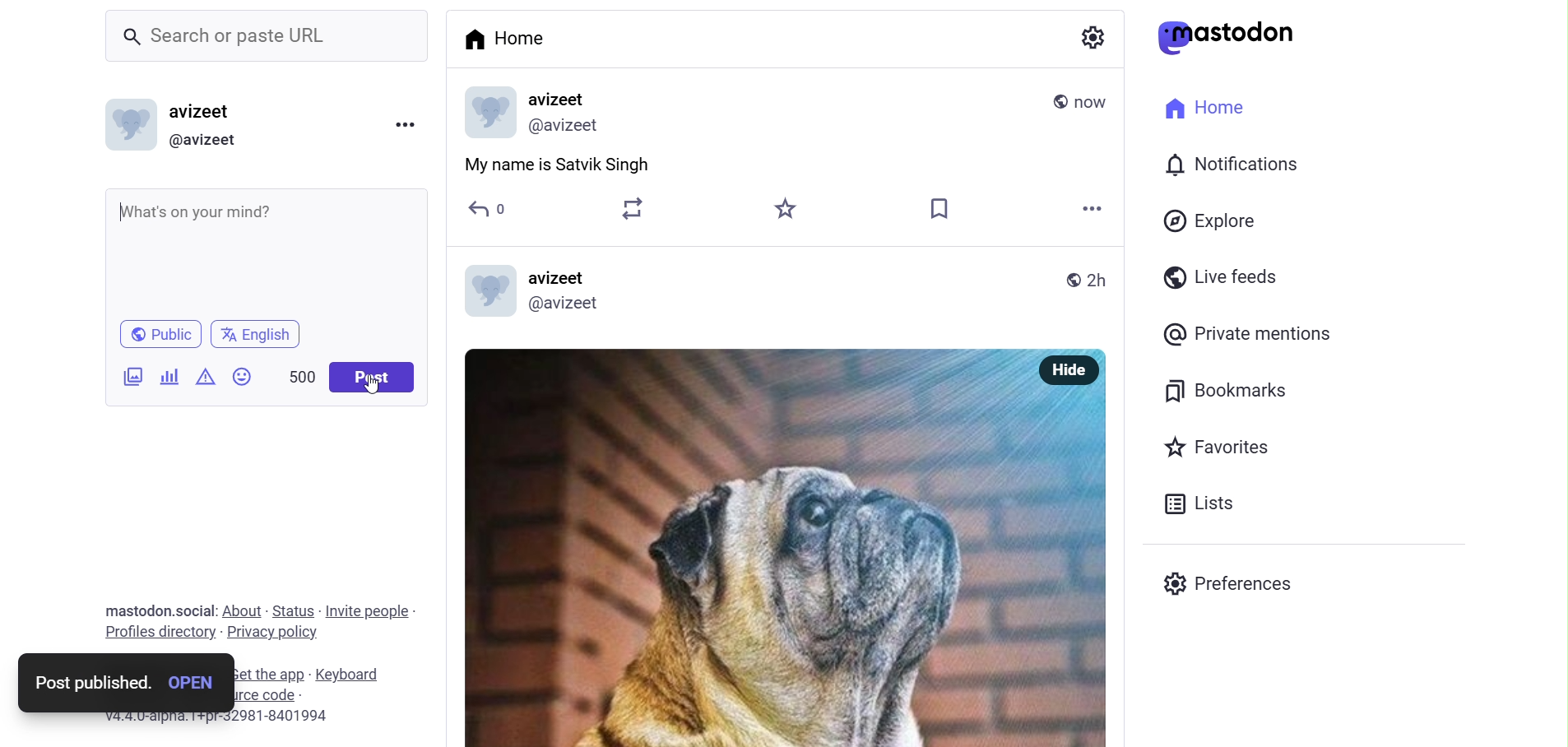  Describe the element at coordinates (557, 166) in the screenshot. I see `introduction post` at that location.